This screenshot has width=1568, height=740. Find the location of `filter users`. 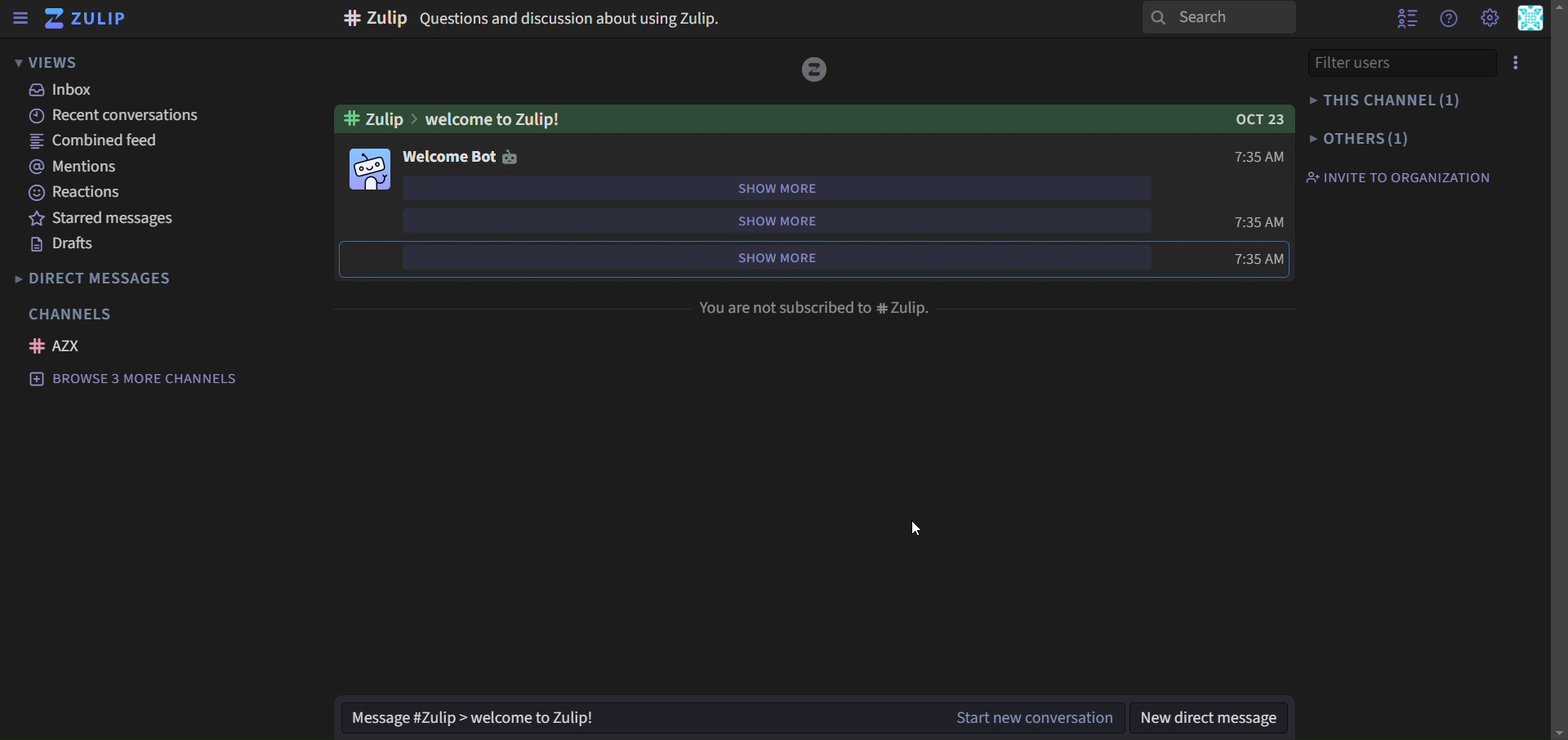

filter users is located at coordinates (1395, 63).